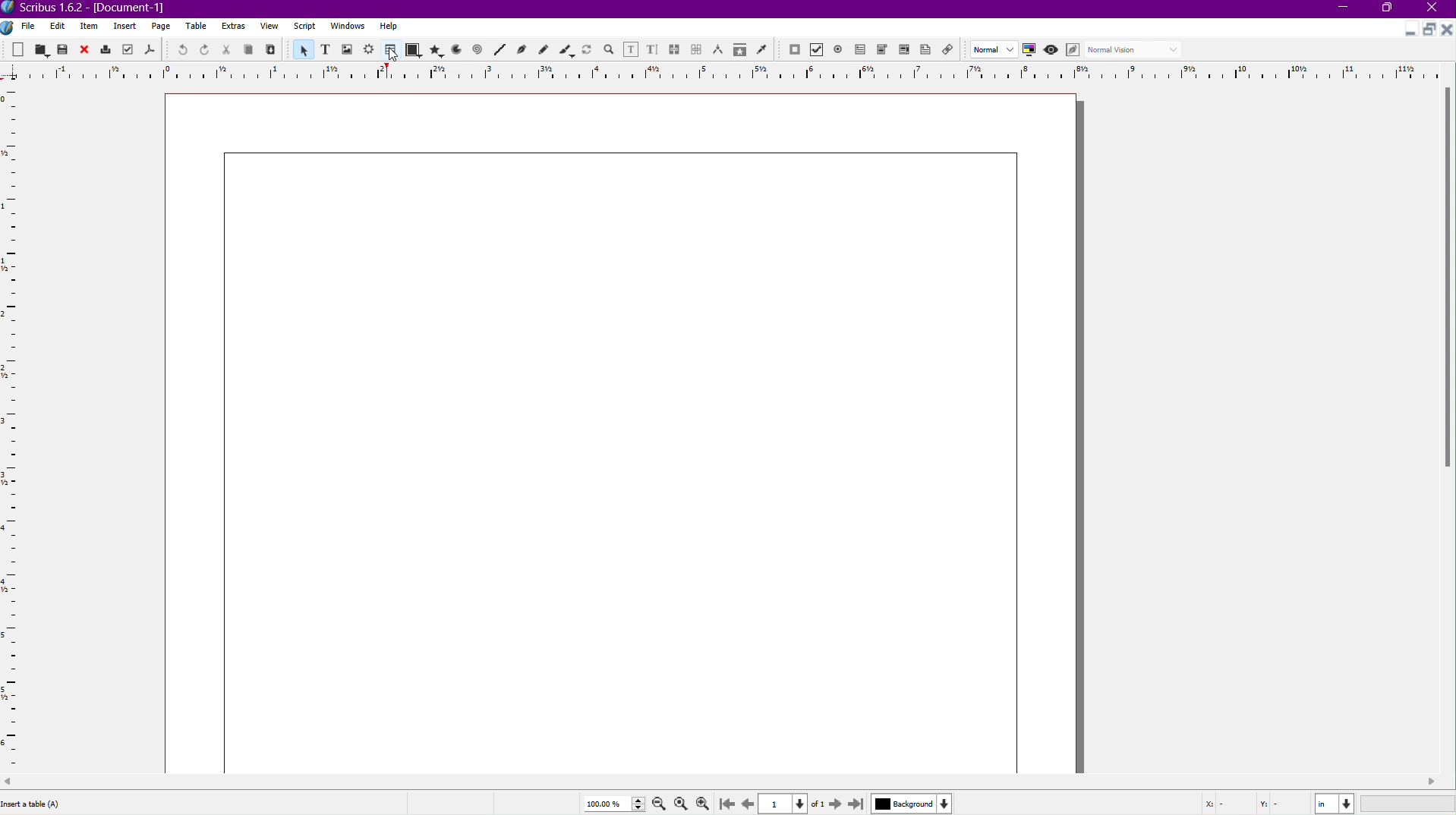  Describe the element at coordinates (251, 49) in the screenshot. I see `Copy` at that location.